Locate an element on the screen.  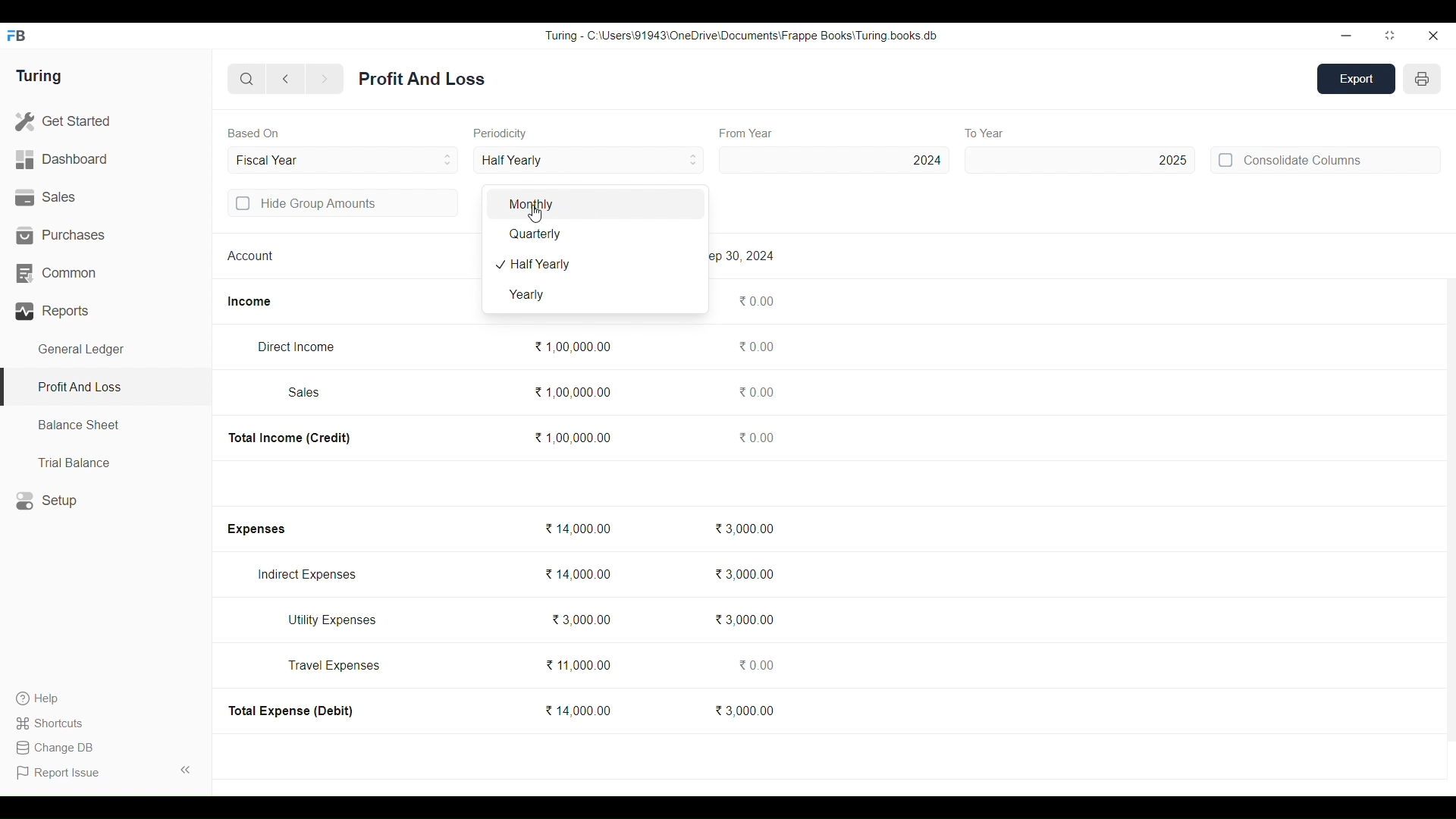
Help is located at coordinates (52, 698).